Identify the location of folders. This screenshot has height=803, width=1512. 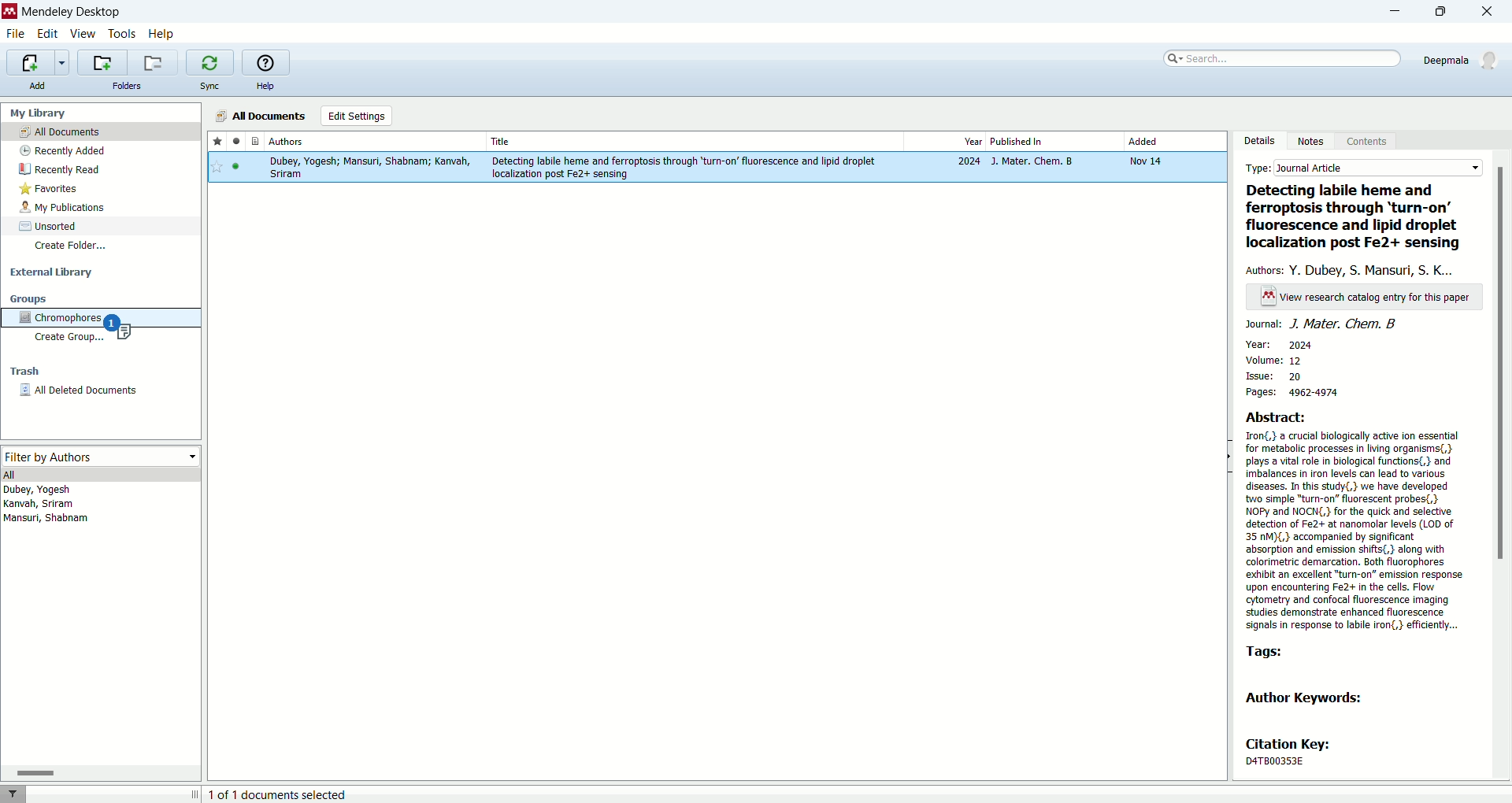
(125, 86).